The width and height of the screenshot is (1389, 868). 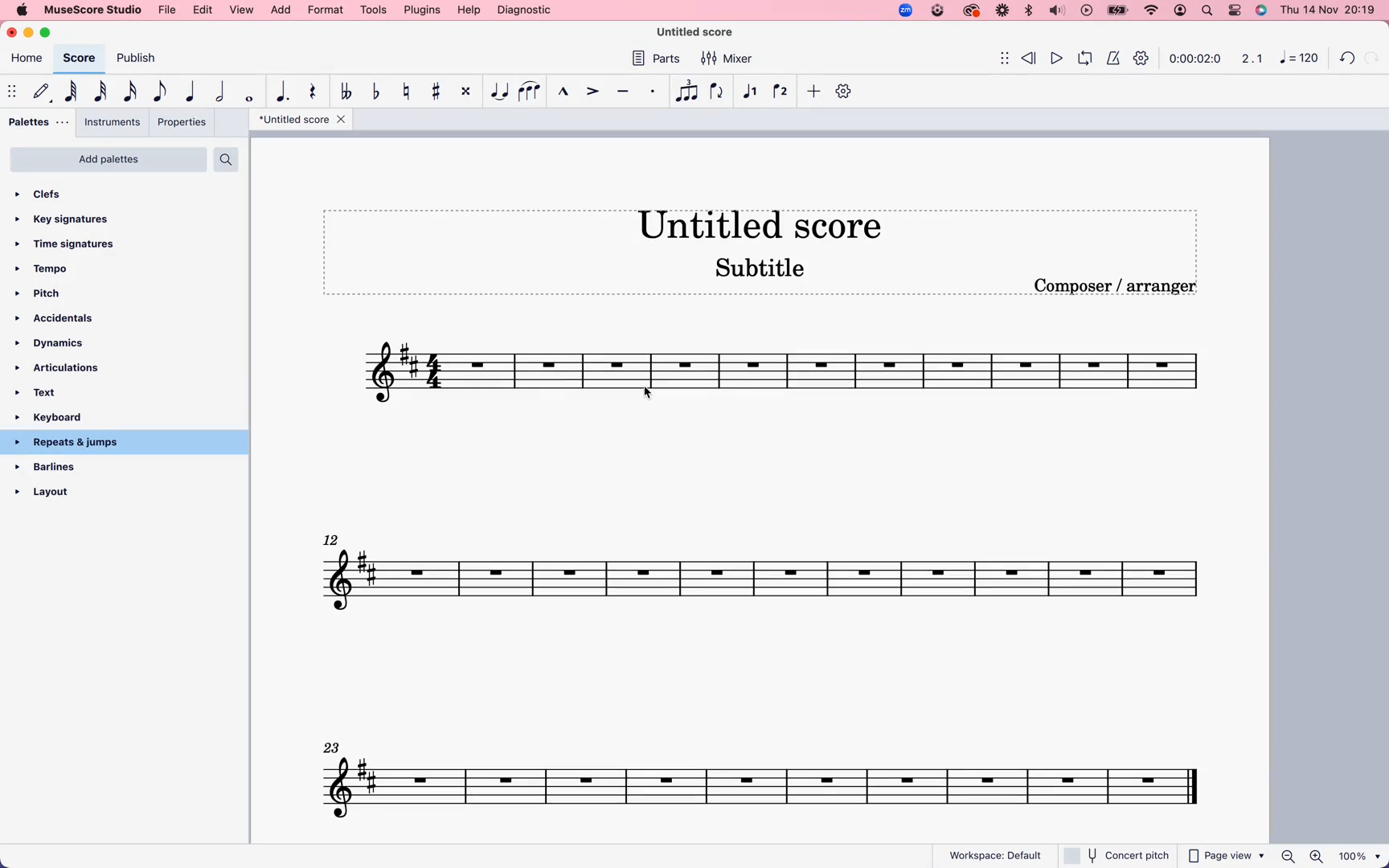 What do you see at coordinates (1118, 286) in the screenshot?
I see `composer / arranger` at bounding box center [1118, 286].